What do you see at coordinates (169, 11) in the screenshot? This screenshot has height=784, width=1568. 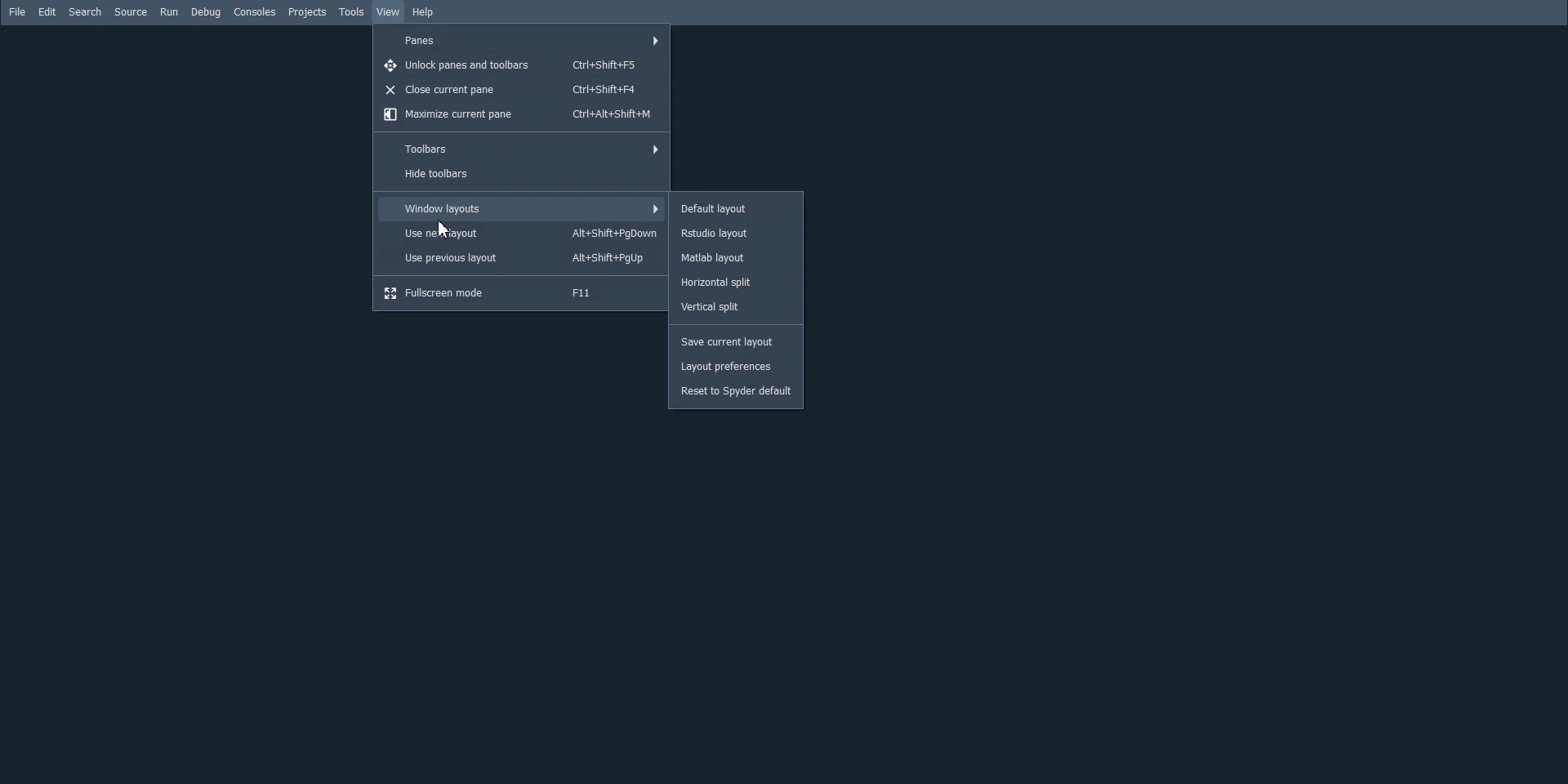 I see `Run` at bounding box center [169, 11].